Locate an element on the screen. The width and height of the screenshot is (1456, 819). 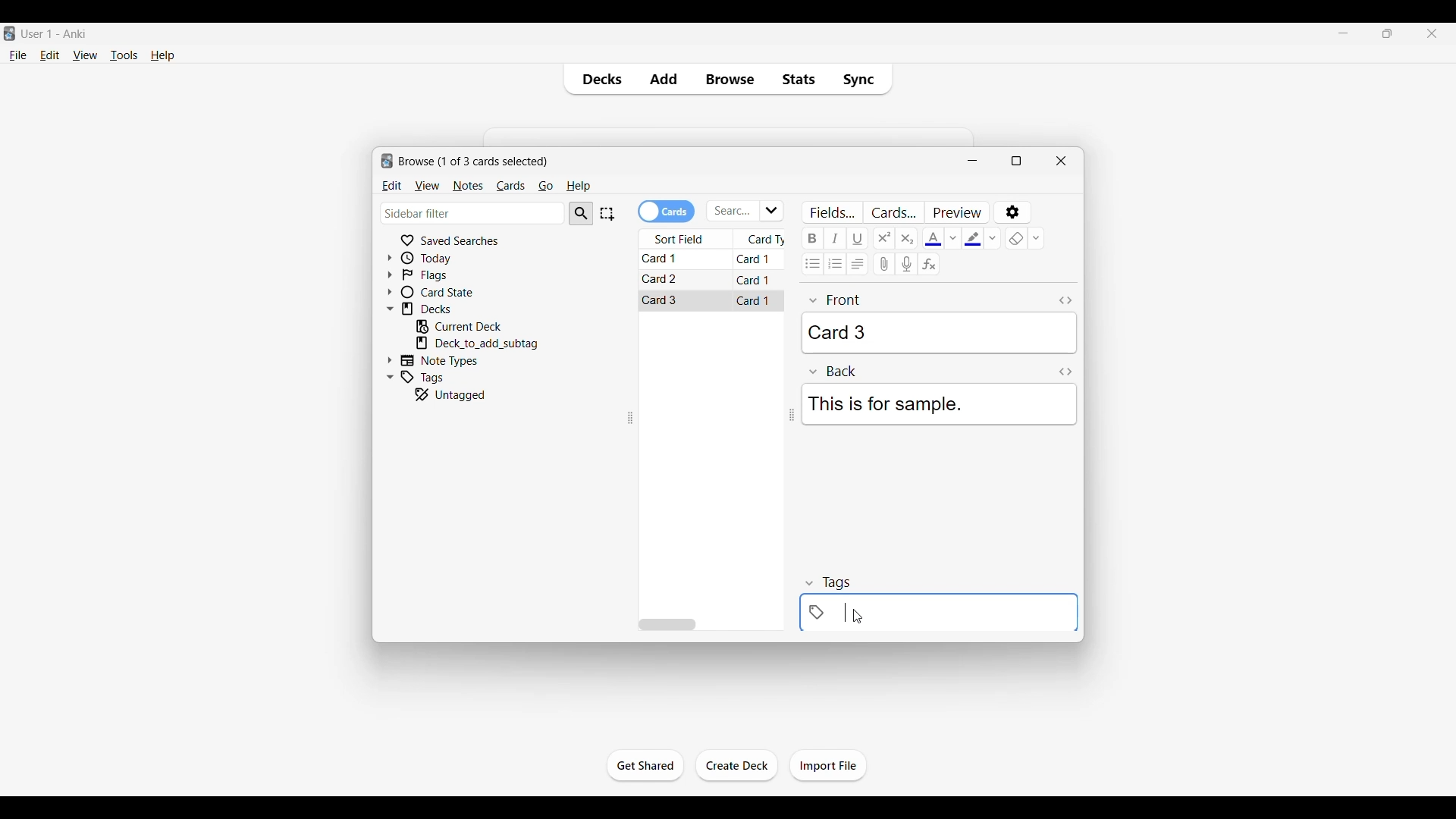
Add is located at coordinates (663, 79).